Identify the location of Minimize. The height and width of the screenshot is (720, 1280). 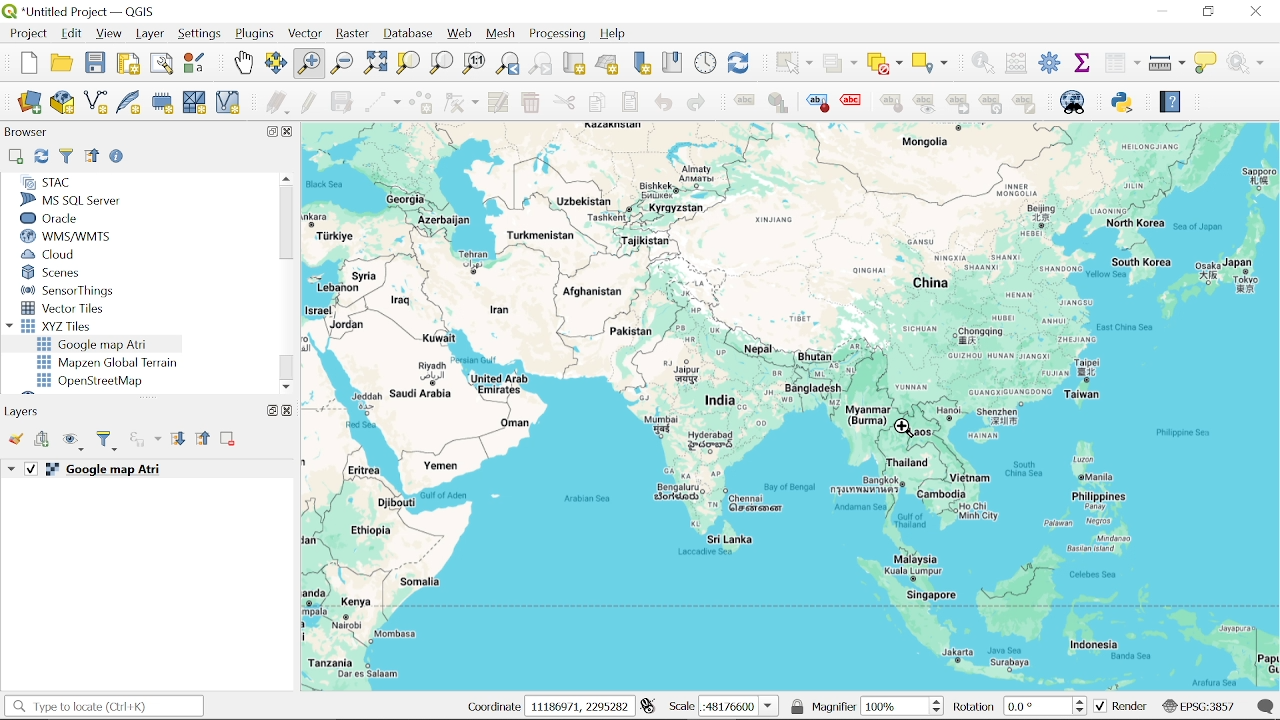
(1159, 10).